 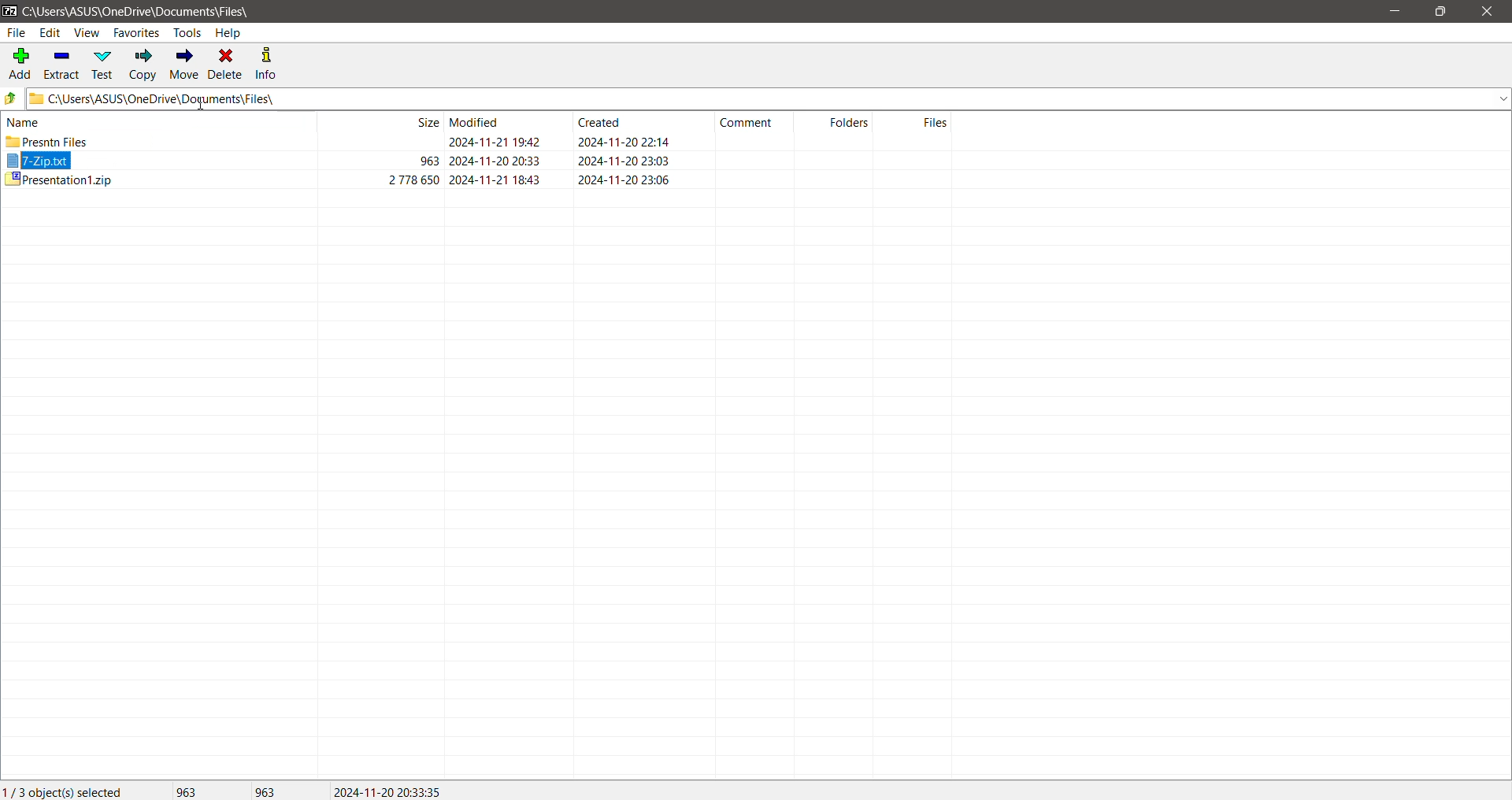 What do you see at coordinates (86, 33) in the screenshot?
I see `View` at bounding box center [86, 33].